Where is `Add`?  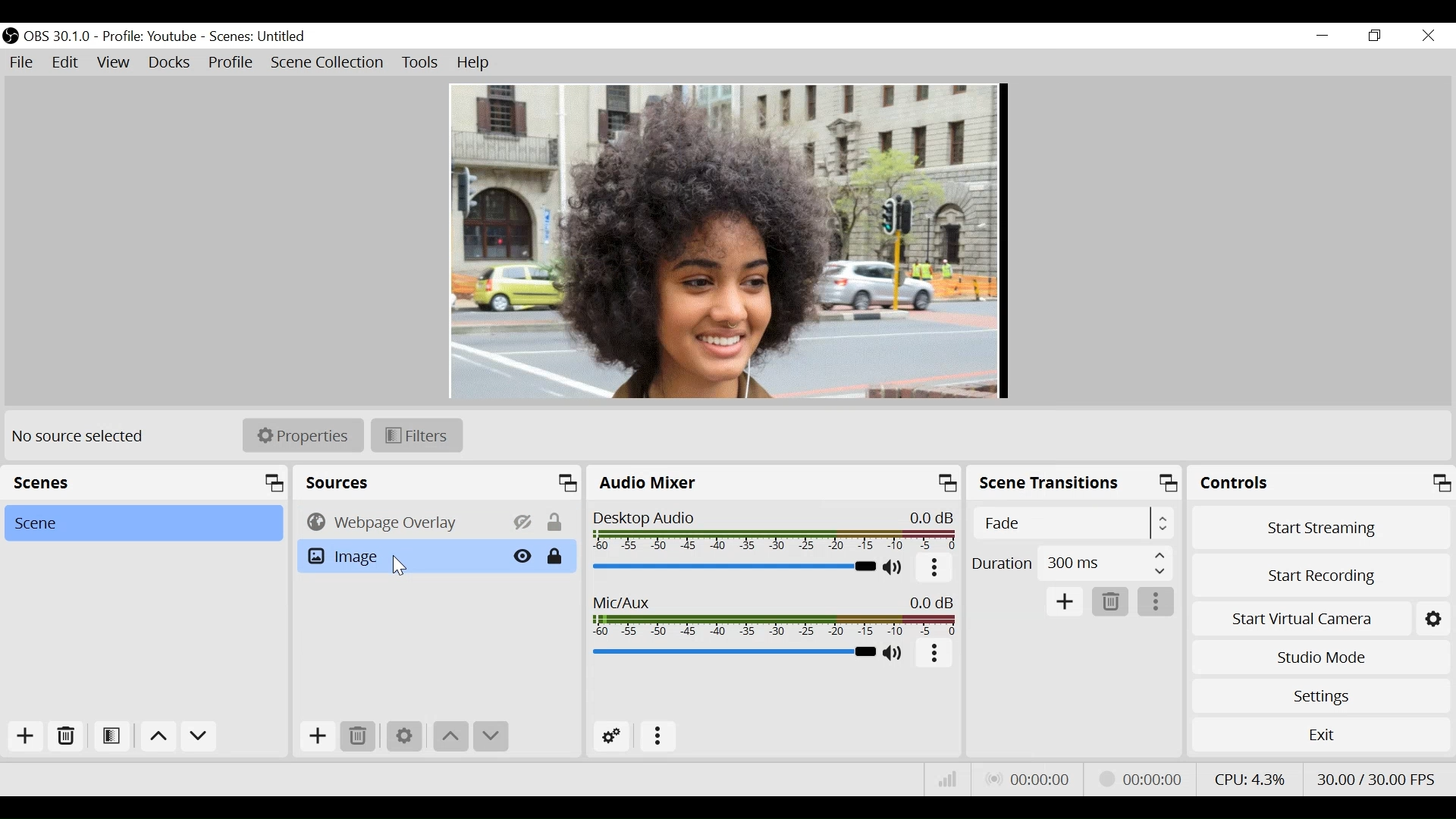 Add is located at coordinates (318, 736).